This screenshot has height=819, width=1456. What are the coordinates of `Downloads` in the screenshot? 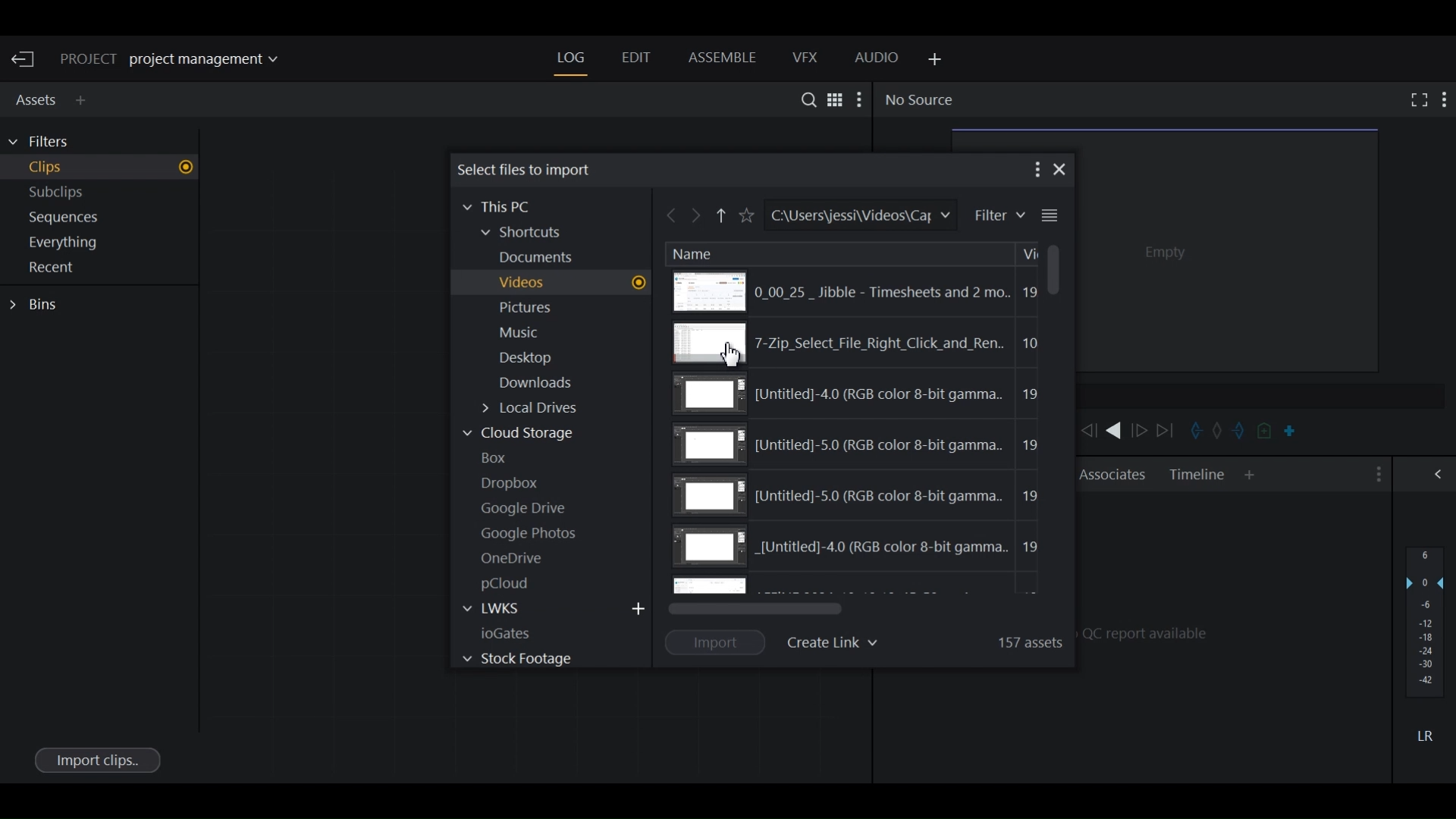 It's located at (545, 385).